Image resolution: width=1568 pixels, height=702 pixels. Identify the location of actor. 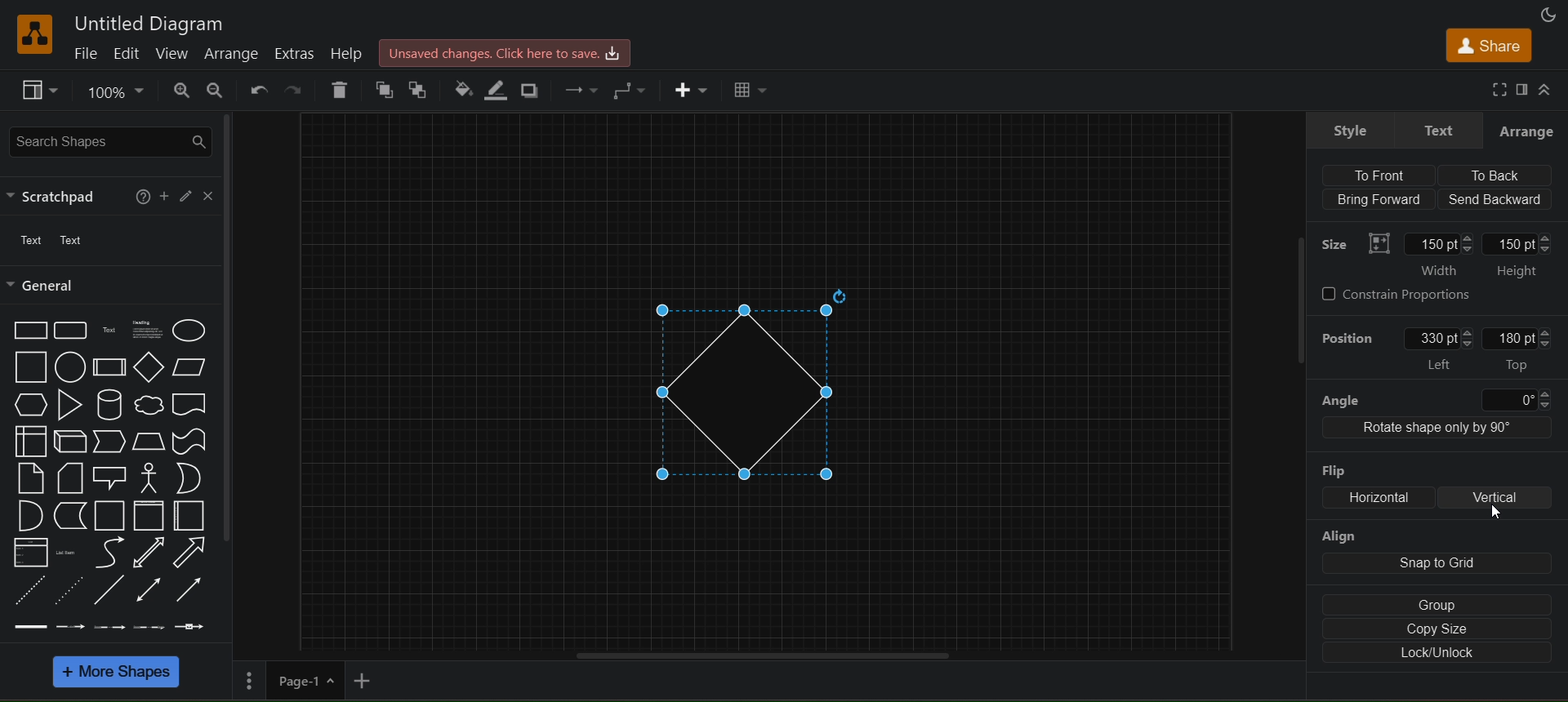
(149, 477).